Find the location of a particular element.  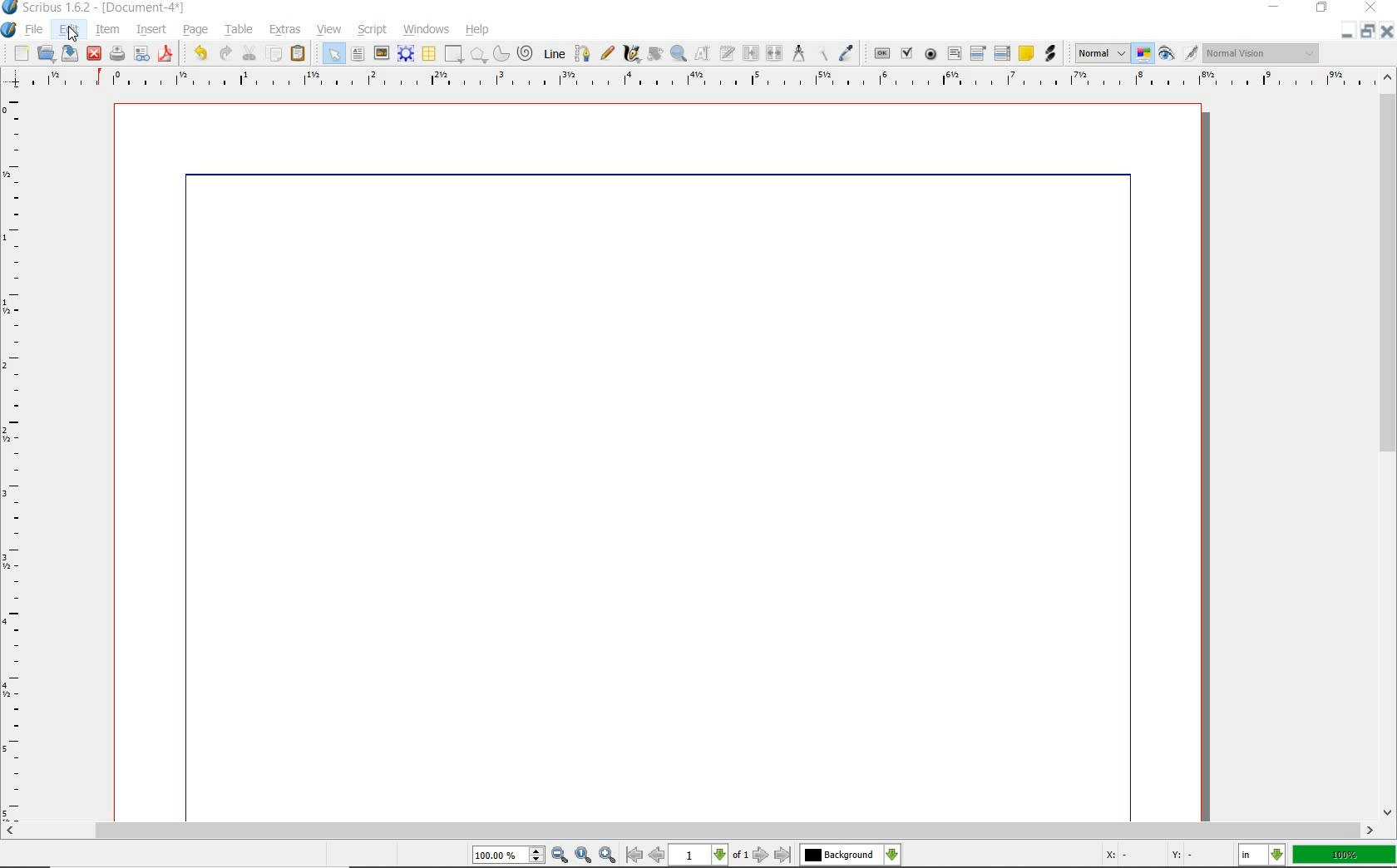

extras is located at coordinates (286, 30).